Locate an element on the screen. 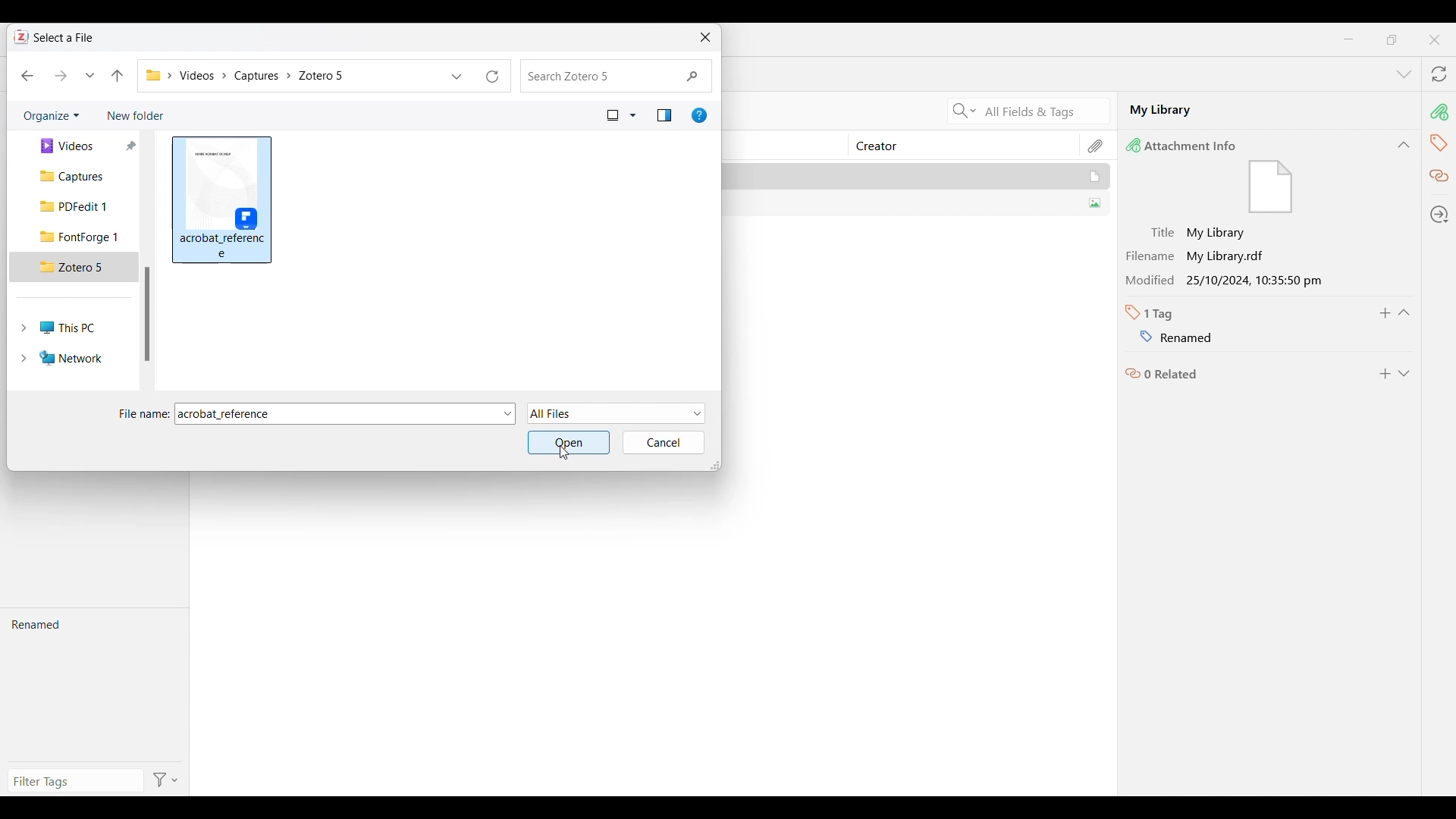 This screenshot has width=1456, height=819. Expand is located at coordinates (1404, 374).